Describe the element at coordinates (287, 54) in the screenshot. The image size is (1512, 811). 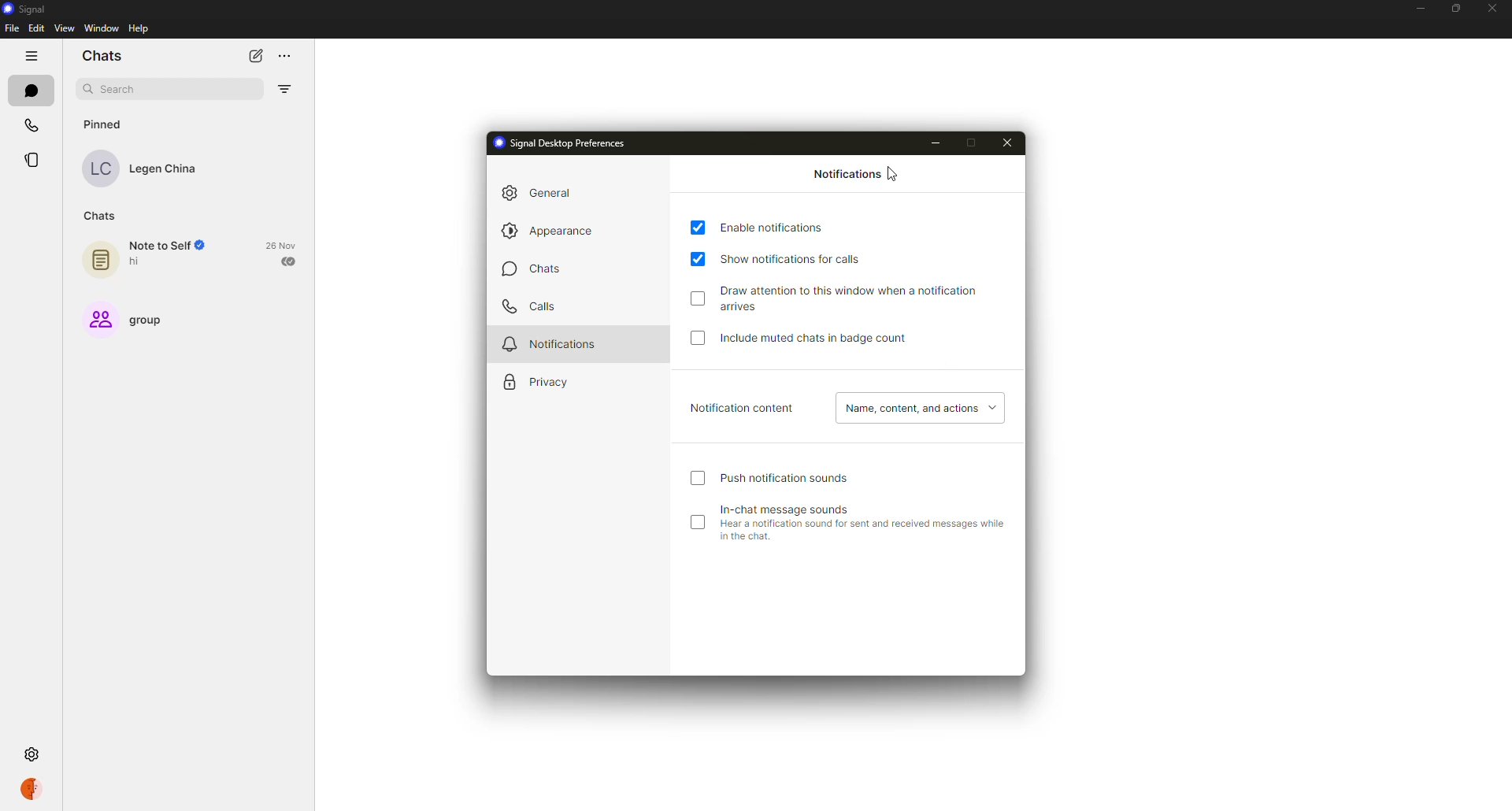
I see `more` at that location.